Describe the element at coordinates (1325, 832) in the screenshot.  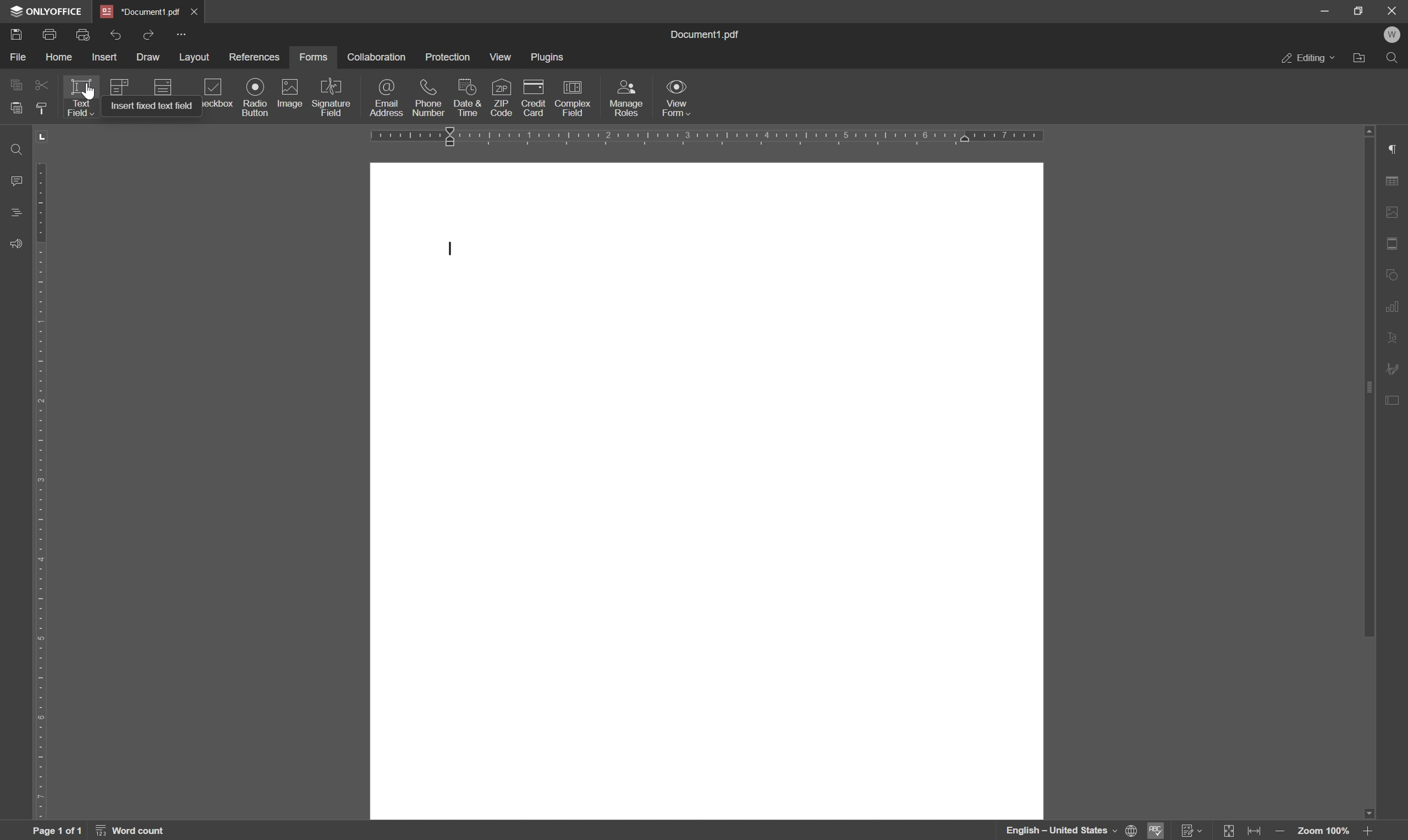
I see `zoom 100%` at that location.